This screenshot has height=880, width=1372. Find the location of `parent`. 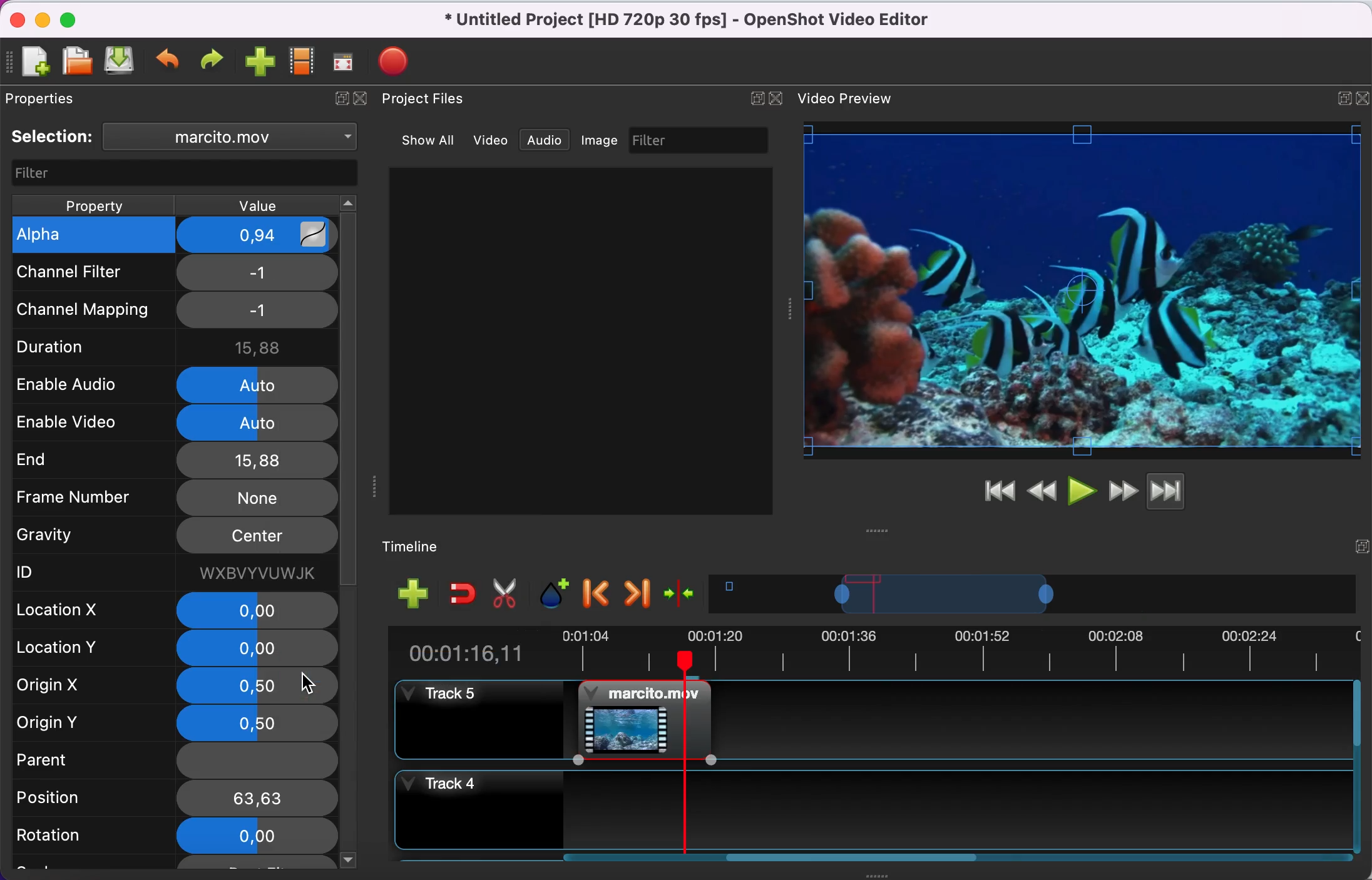

parent is located at coordinates (257, 759).